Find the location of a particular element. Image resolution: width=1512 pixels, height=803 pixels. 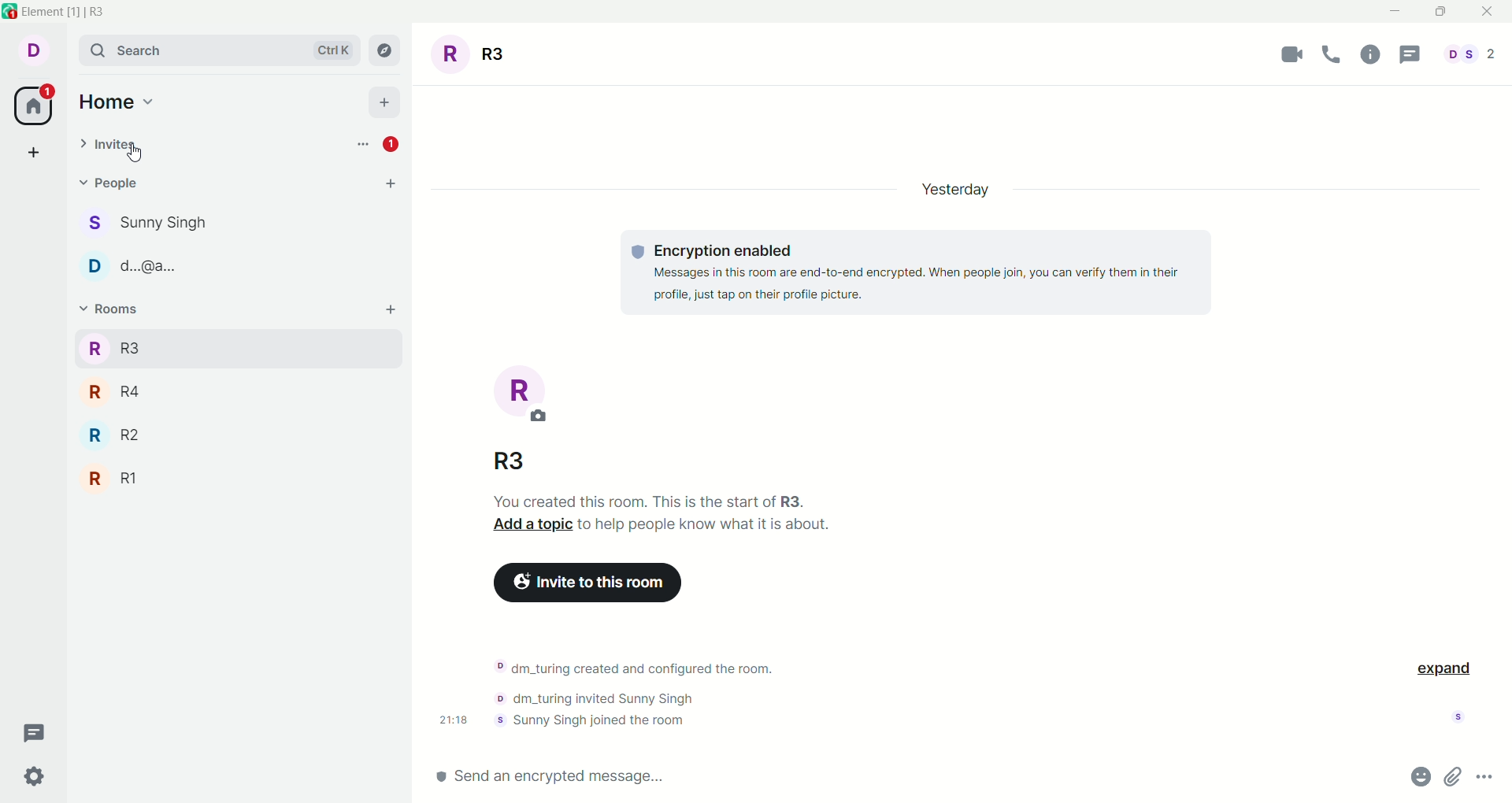

add topic is located at coordinates (528, 524).